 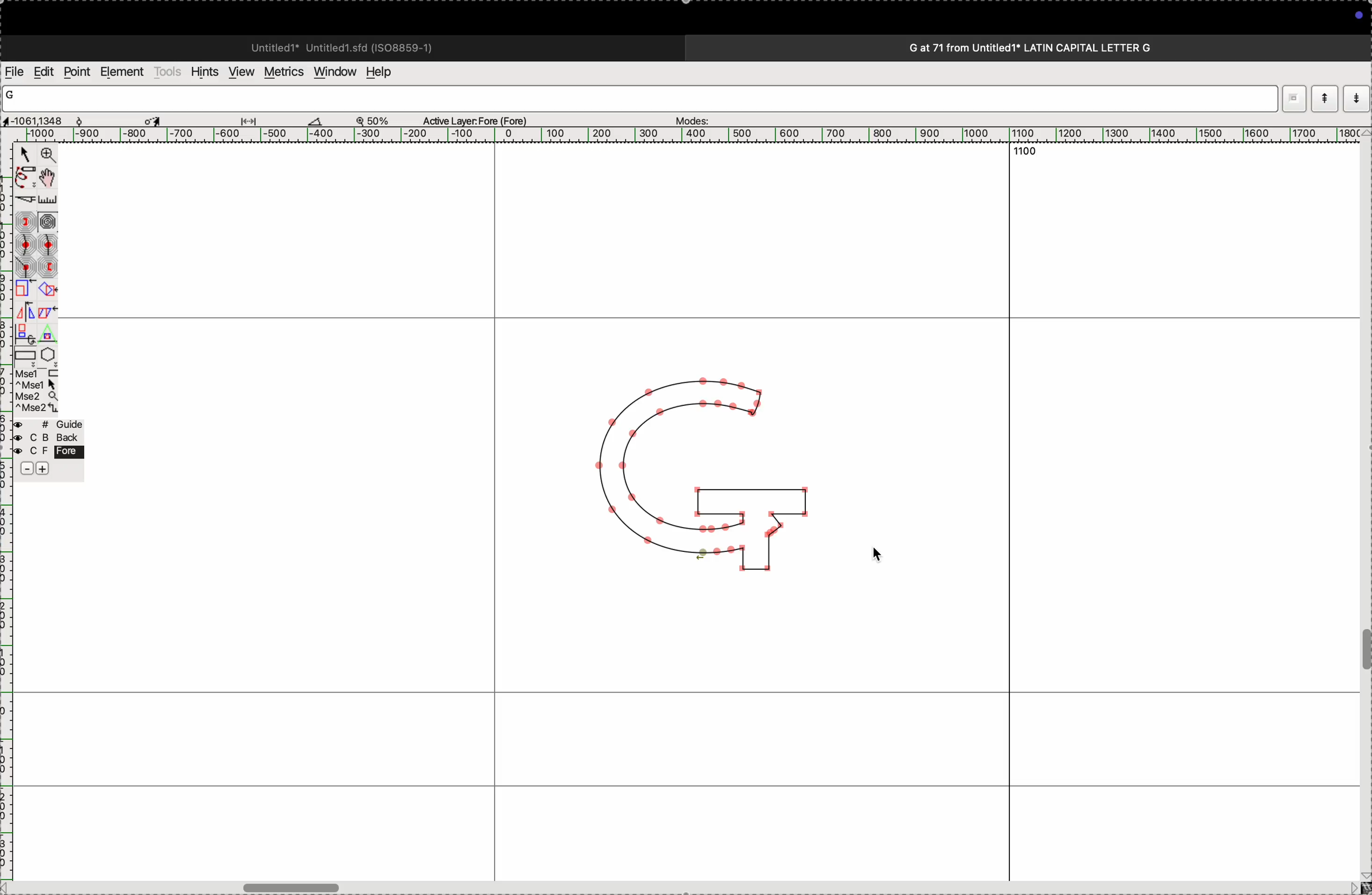 I want to click on G glyph, so click(x=702, y=477).